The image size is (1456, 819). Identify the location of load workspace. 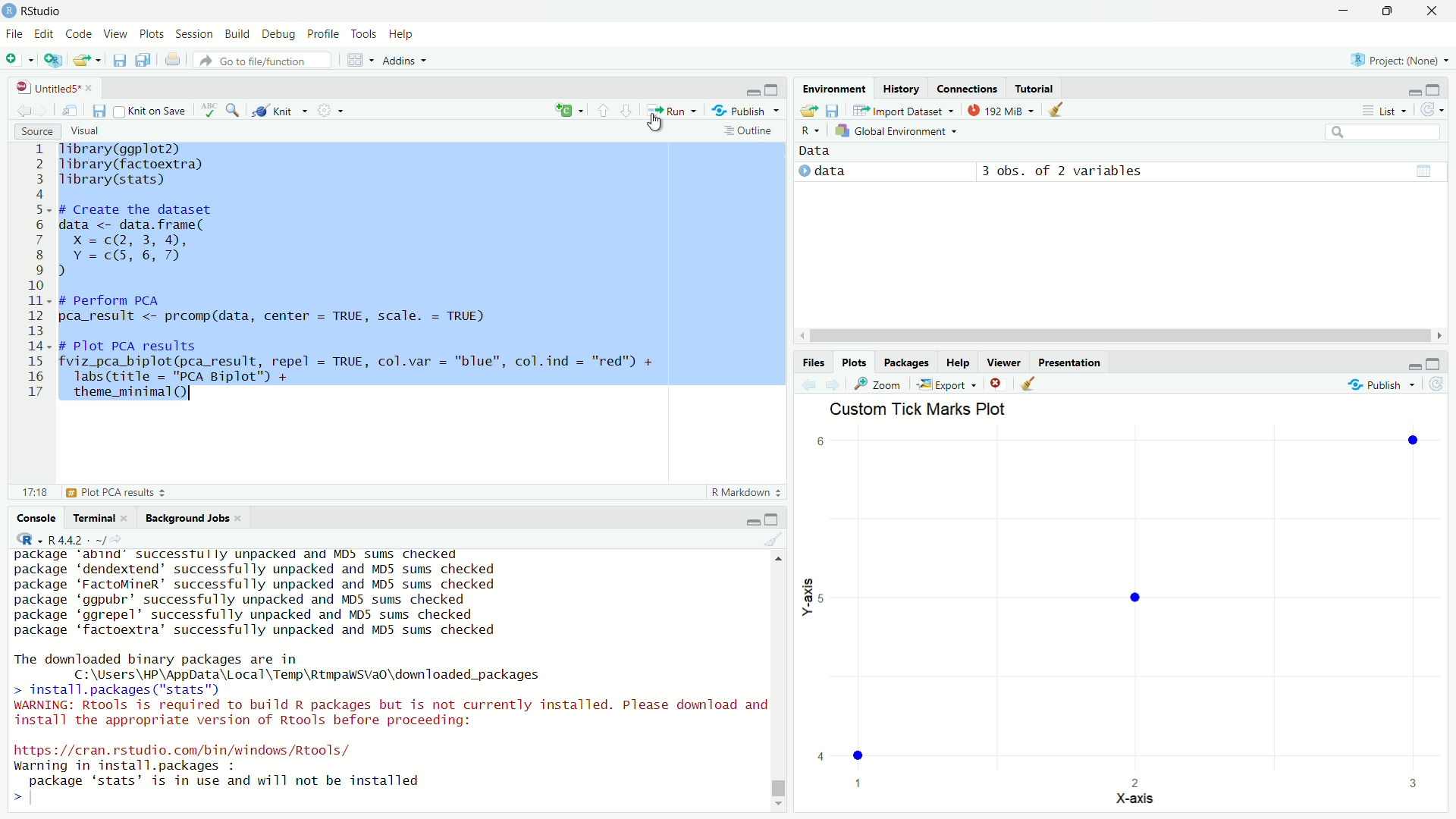
(810, 109).